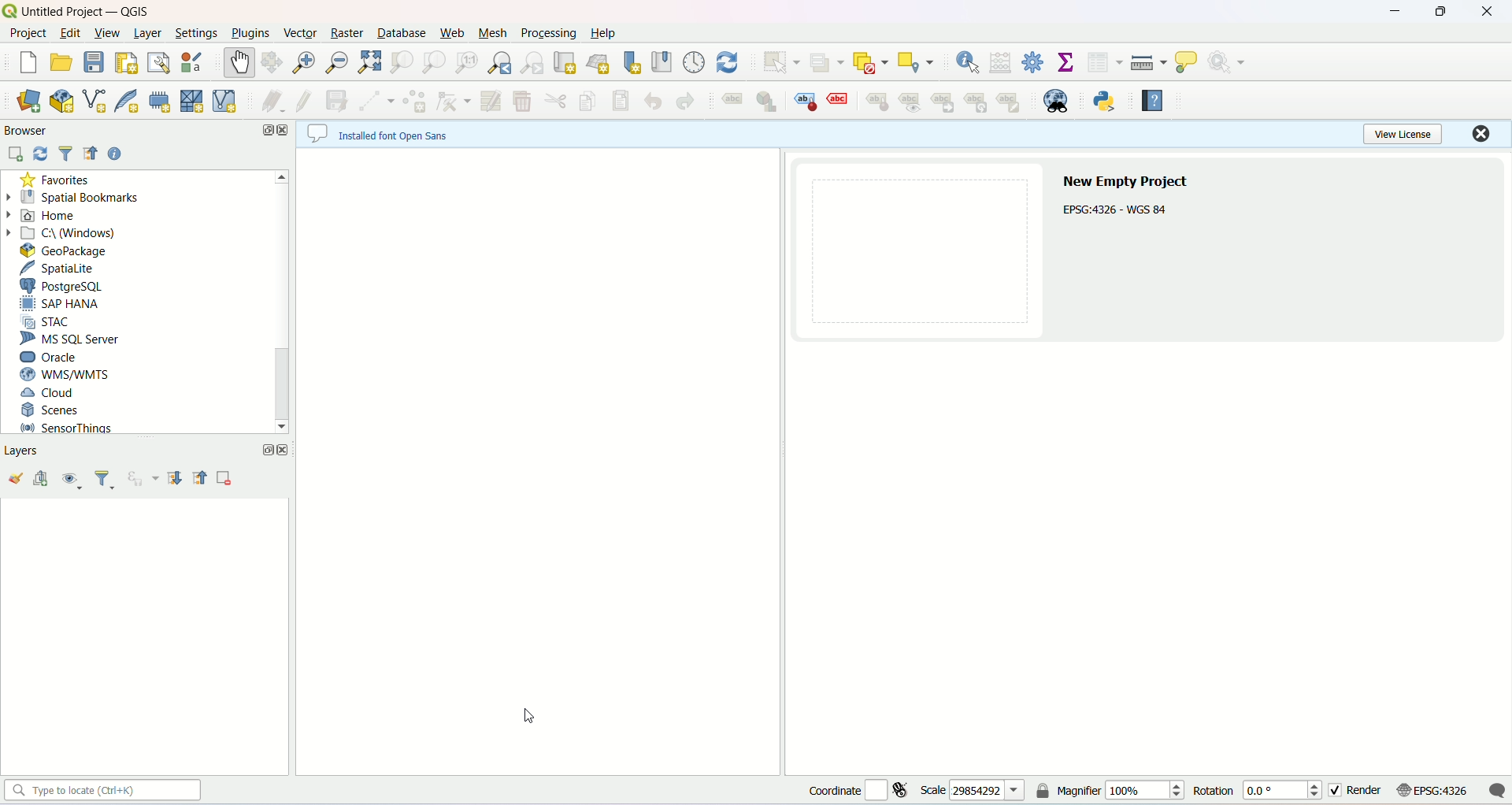  Describe the element at coordinates (103, 793) in the screenshot. I see `type to locate` at that location.